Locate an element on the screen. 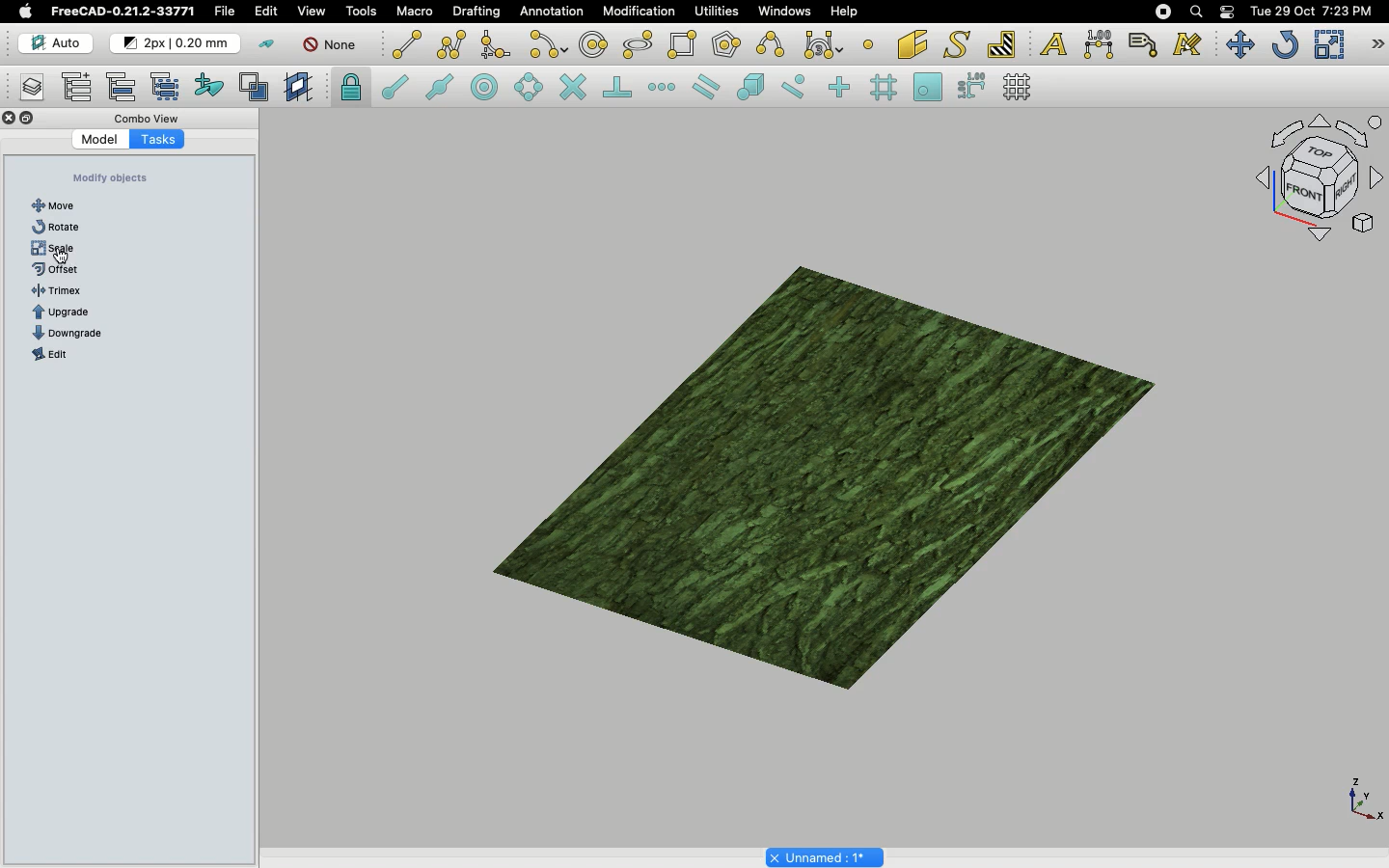 This screenshot has height=868, width=1389. Snap working plane is located at coordinates (925, 84).